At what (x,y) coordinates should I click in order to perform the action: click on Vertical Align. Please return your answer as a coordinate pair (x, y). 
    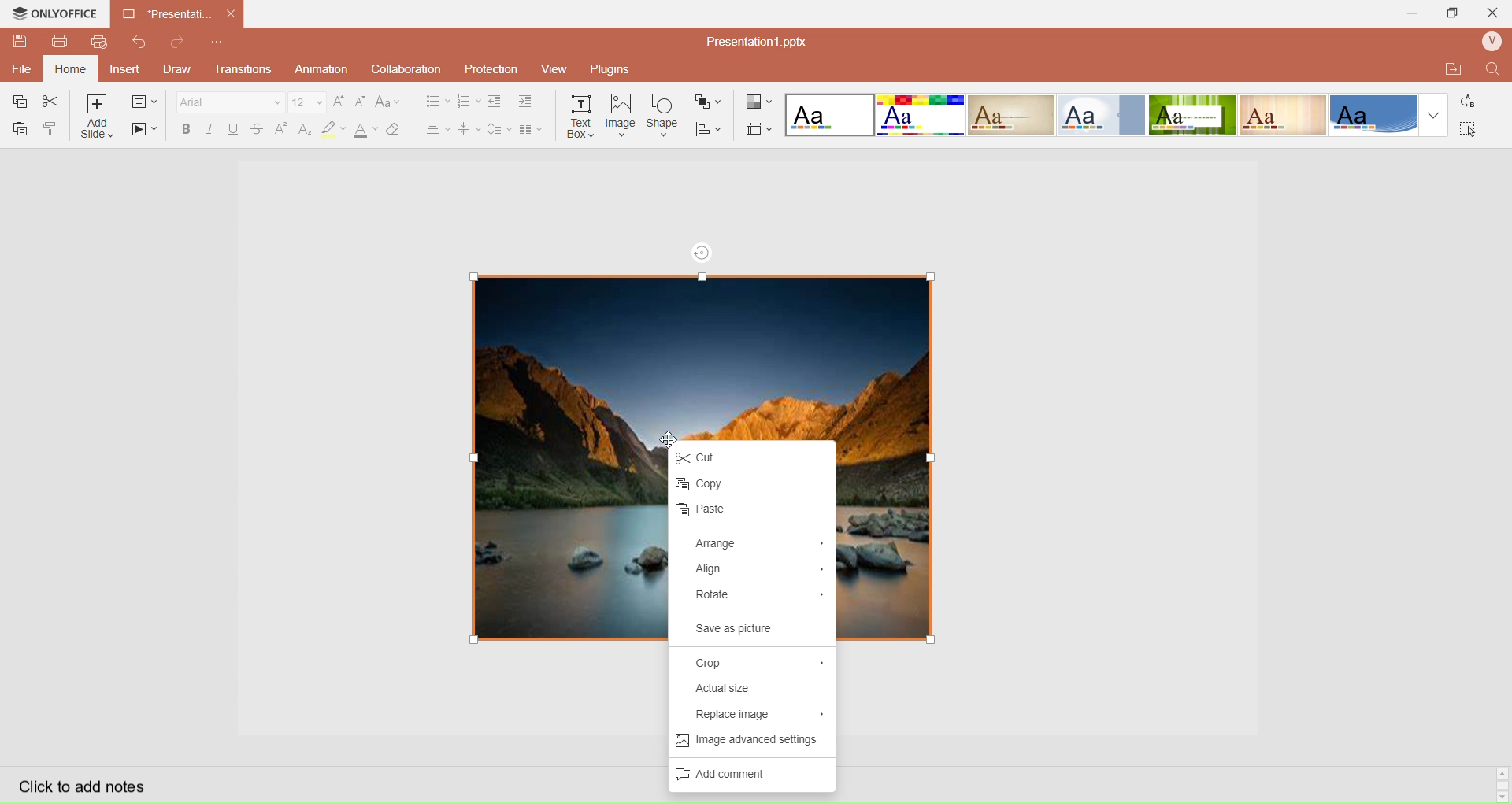
    Looking at the image, I should click on (470, 129).